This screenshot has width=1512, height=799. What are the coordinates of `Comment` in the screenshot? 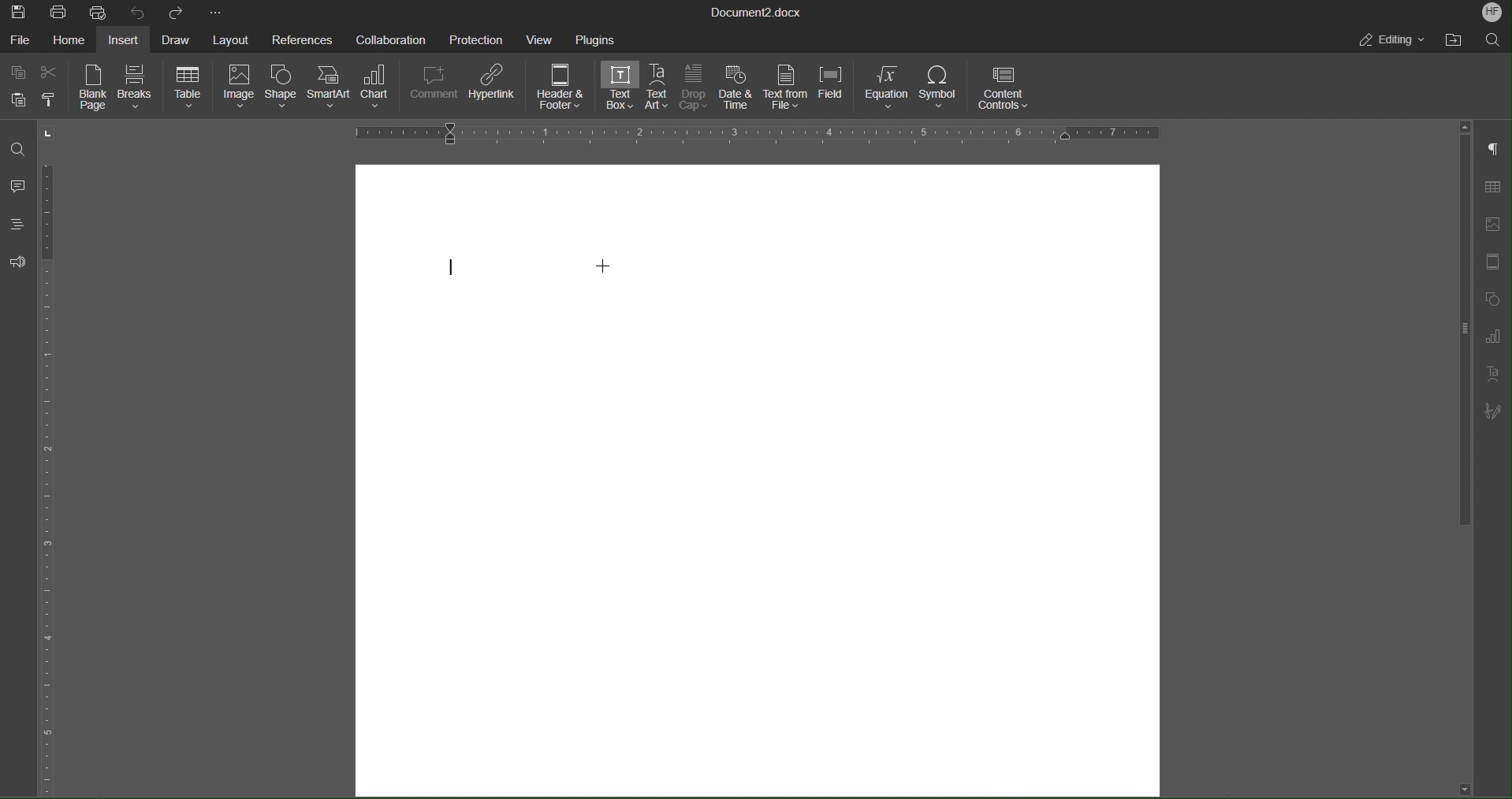 It's located at (434, 88).